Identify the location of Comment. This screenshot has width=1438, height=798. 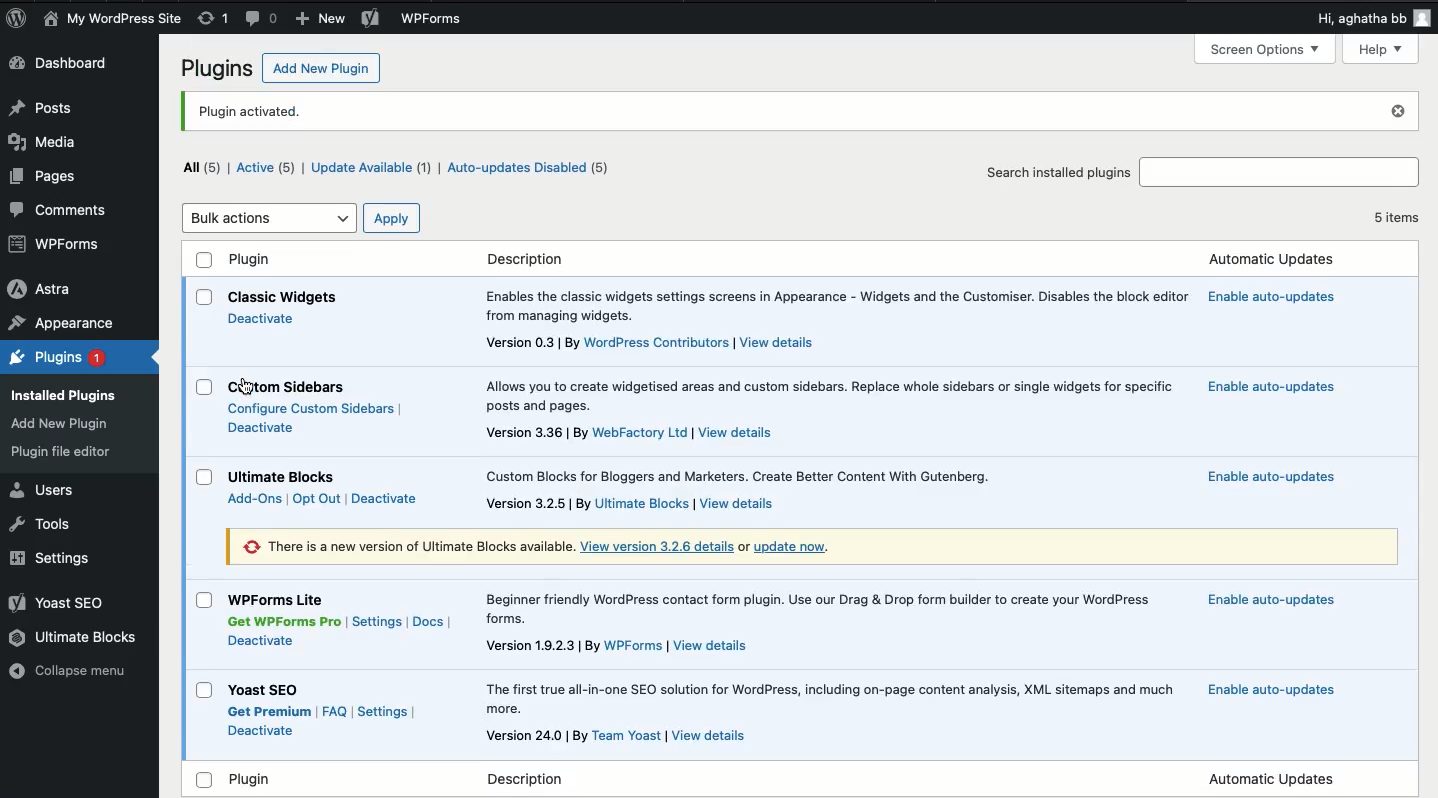
(64, 209).